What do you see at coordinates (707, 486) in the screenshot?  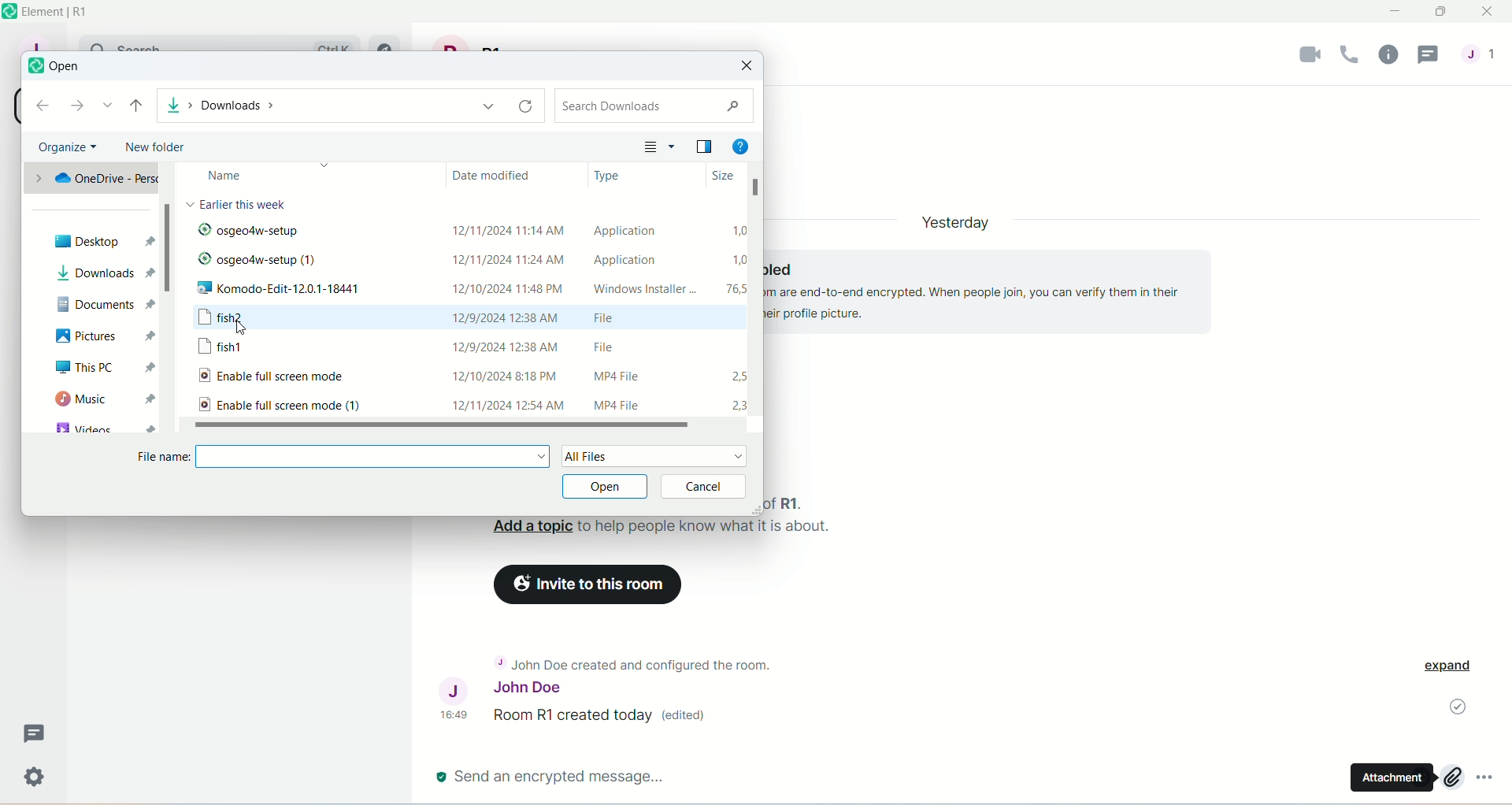 I see `cancel` at bounding box center [707, 486].